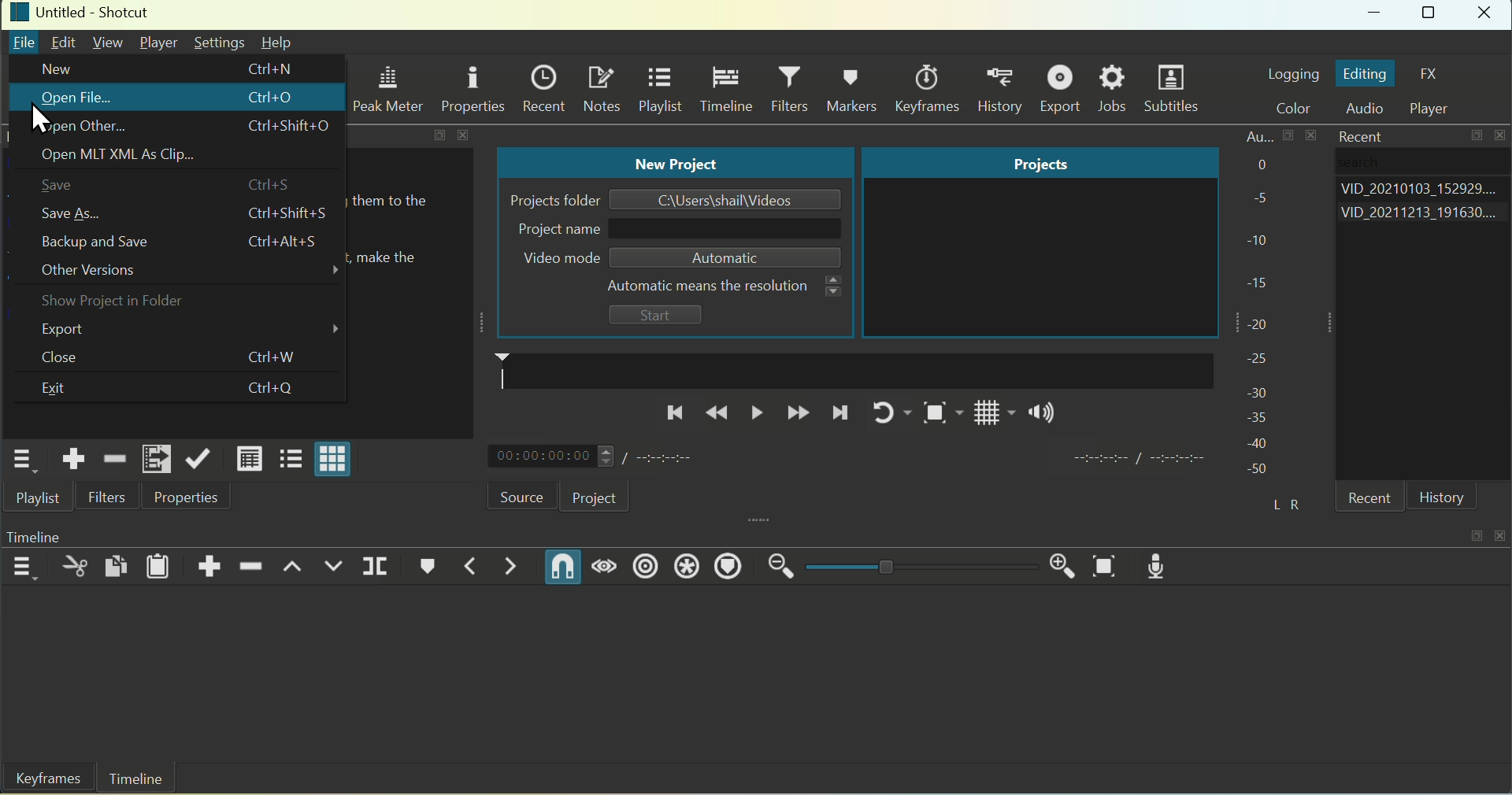 The height and width of the screenshot is (795, 1512). I want to click on Zoom Timeline, so click(1106, 567).